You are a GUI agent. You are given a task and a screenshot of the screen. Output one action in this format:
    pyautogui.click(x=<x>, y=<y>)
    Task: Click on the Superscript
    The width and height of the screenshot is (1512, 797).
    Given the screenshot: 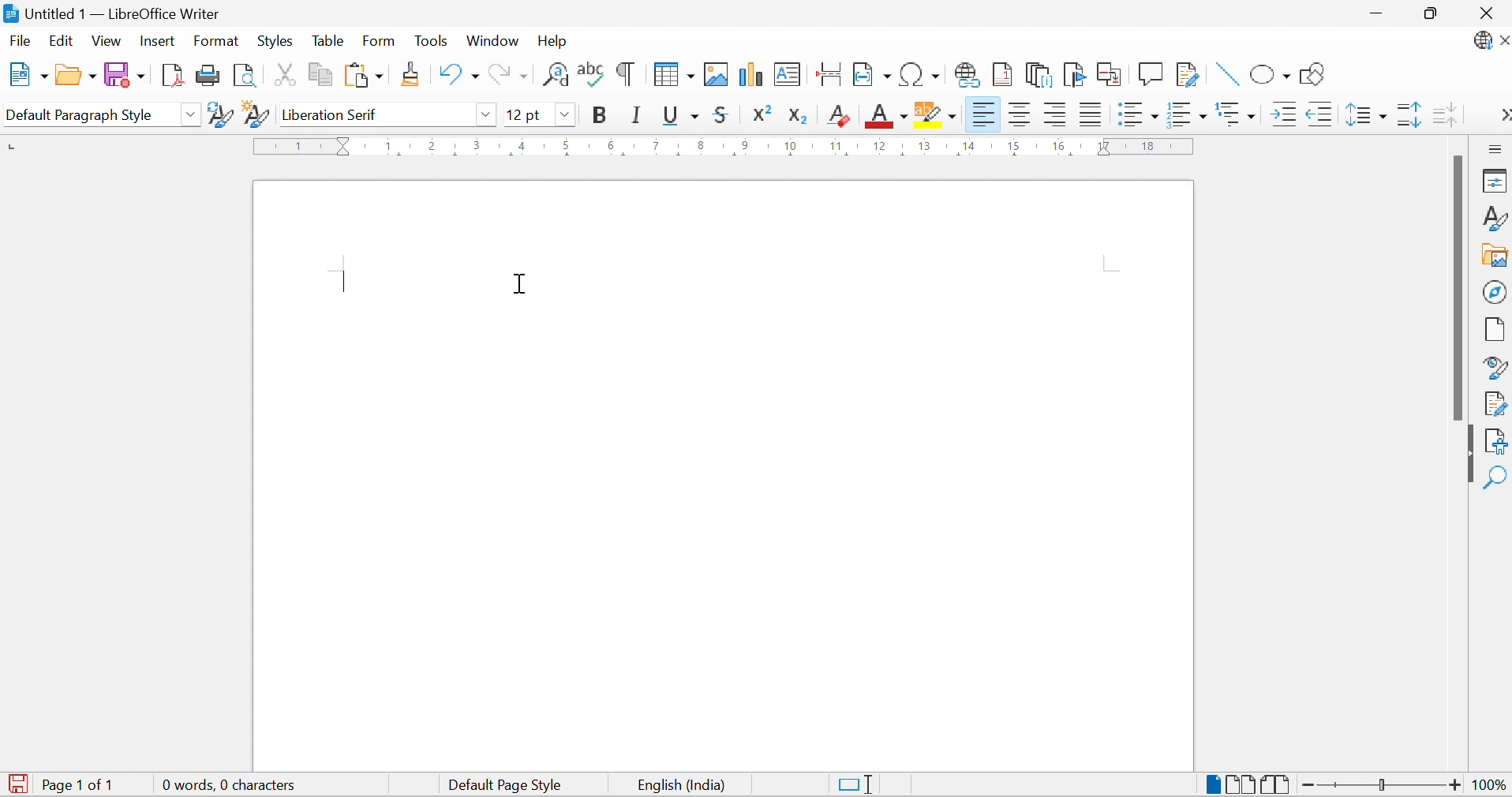 What is the action you would take?
    pyautogui.click(x=767, y=113)
    